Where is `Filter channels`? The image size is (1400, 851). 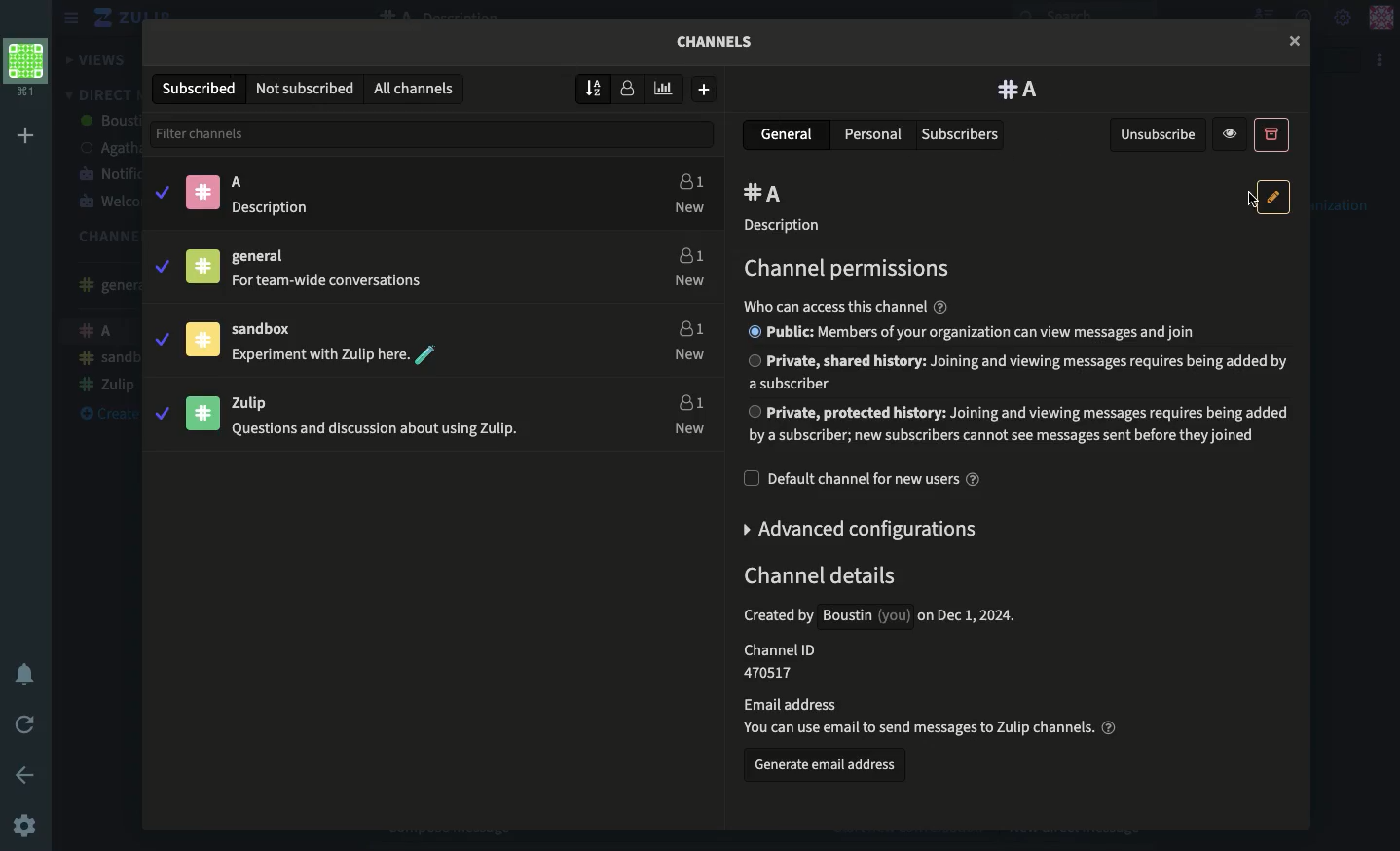 Filter channels is located at coordinates (436, 133).